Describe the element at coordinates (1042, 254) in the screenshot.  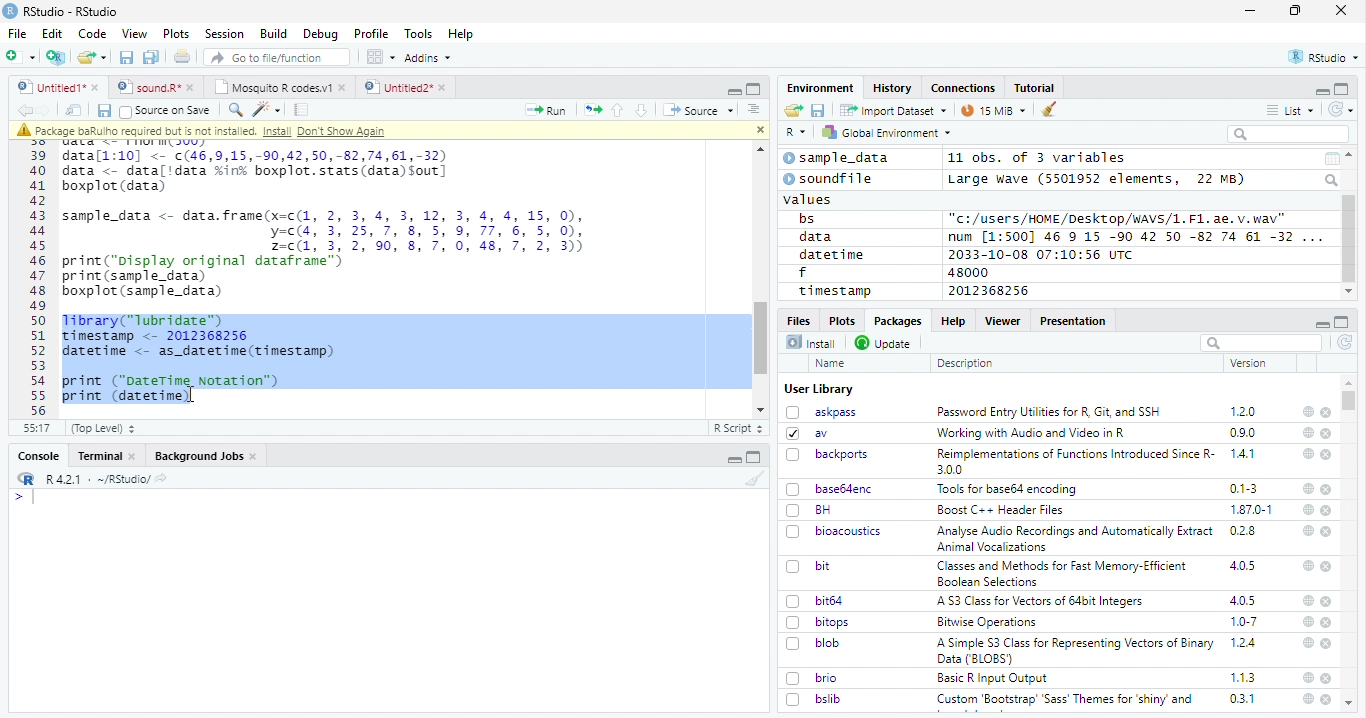
I see `2033-10-08 07:10:56 UTC` at that location.